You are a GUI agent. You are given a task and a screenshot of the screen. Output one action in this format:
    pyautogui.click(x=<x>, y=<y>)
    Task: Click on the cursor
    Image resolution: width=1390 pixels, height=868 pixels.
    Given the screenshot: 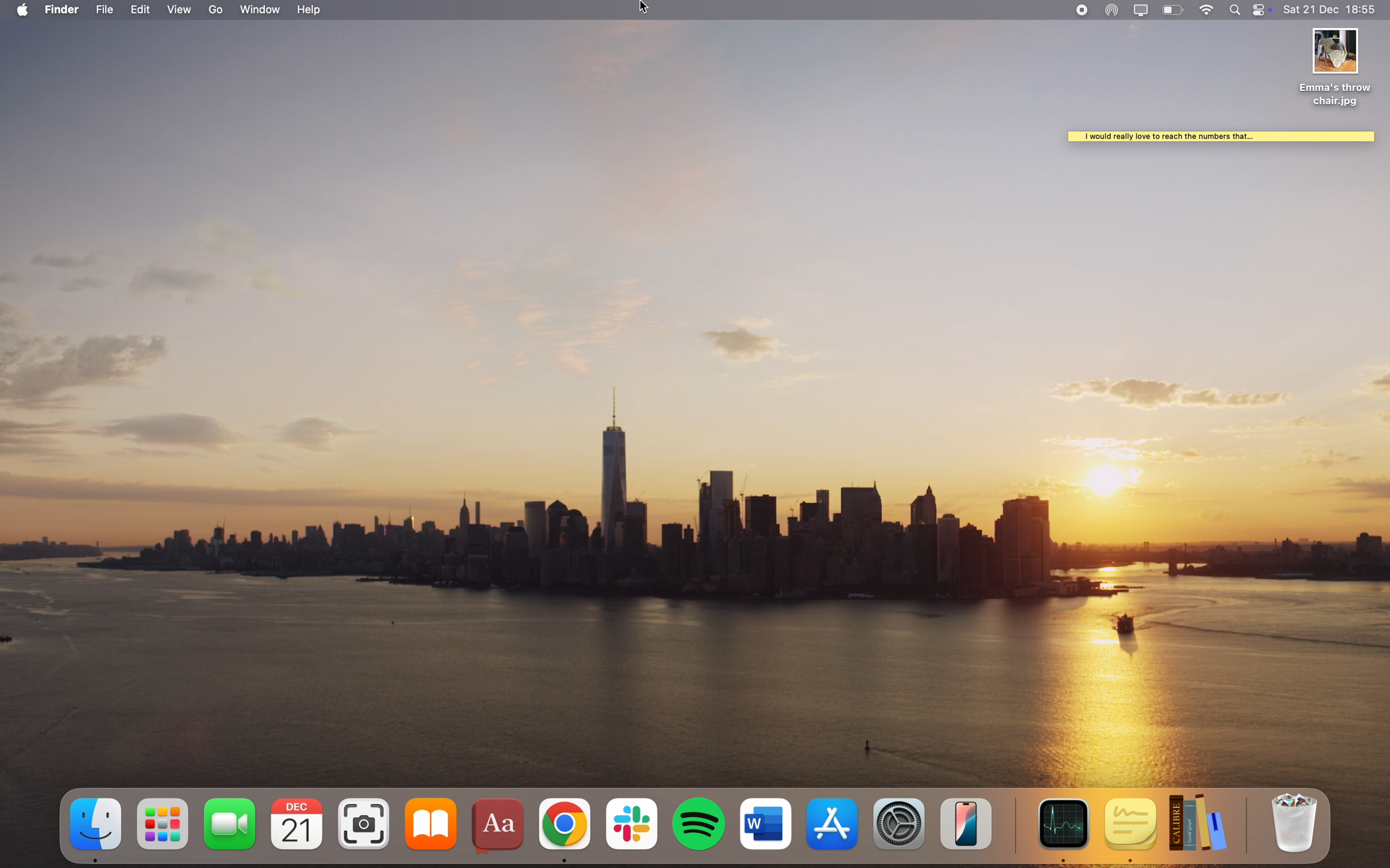 What is the action you would take?
    pyautogui.click(x=646, y=9)
    